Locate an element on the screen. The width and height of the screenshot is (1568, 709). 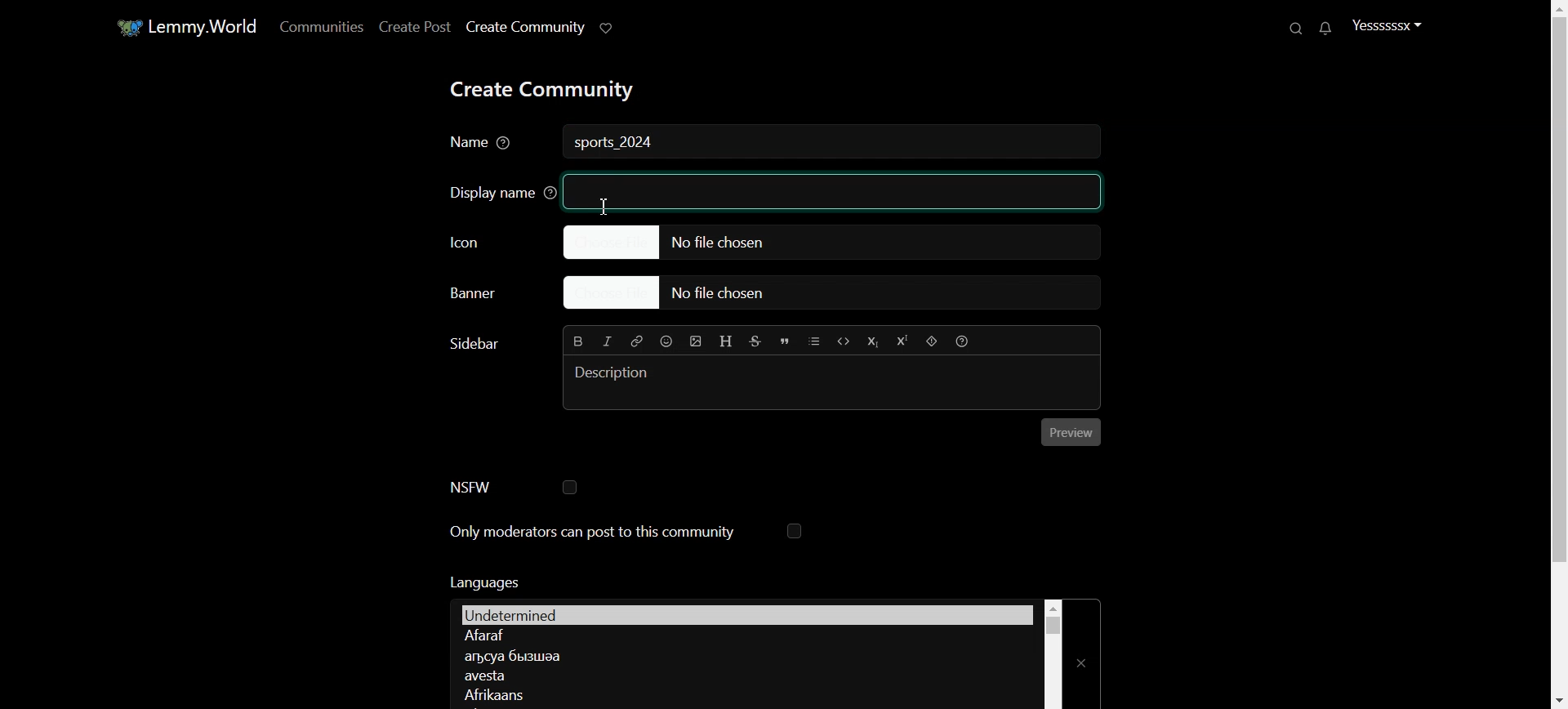
Vertical scroll bar is located at coordinates (1053, 653).